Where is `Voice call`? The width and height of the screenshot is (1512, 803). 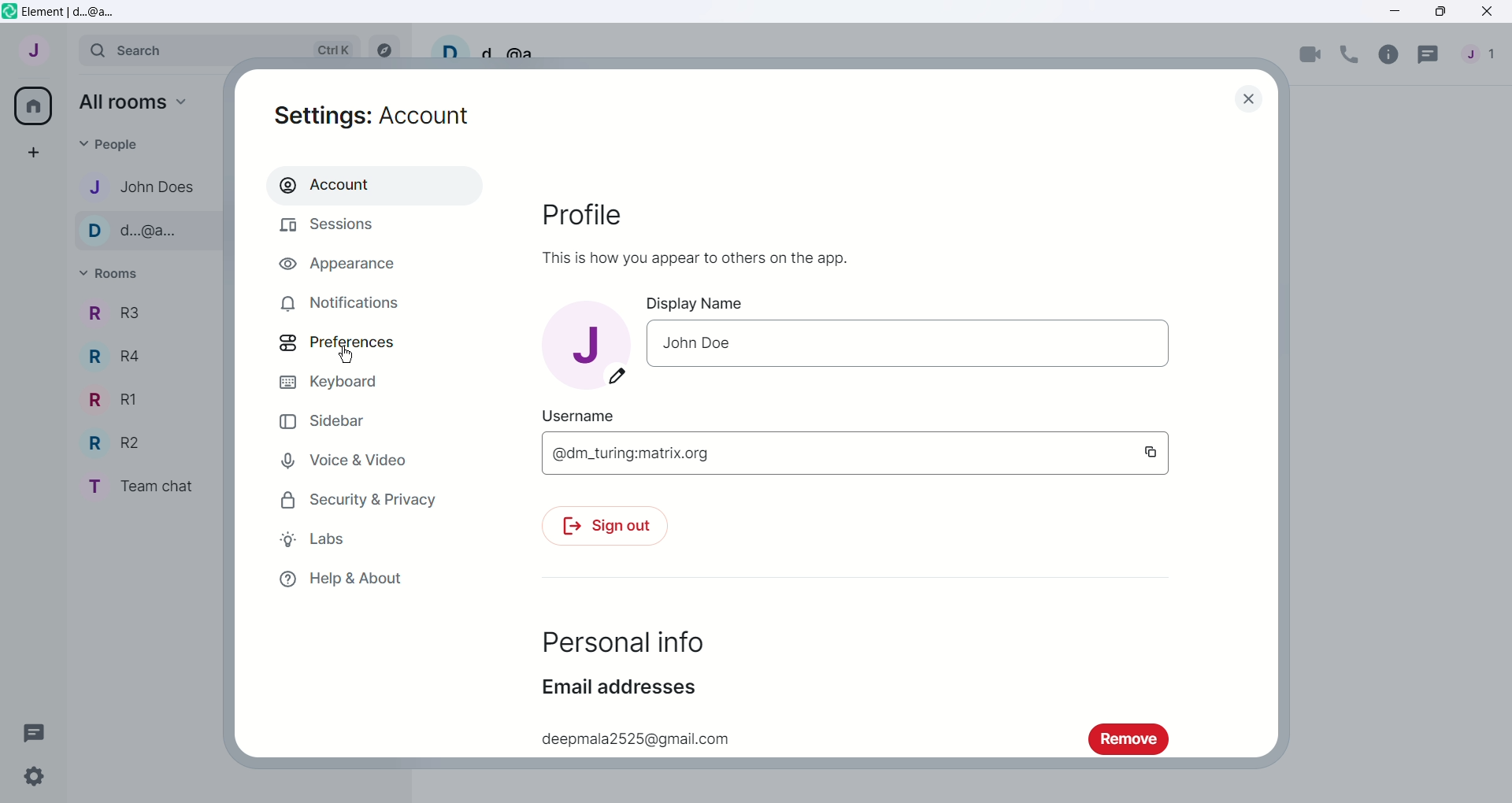
Voice call is located at coordinates (1350, 55).